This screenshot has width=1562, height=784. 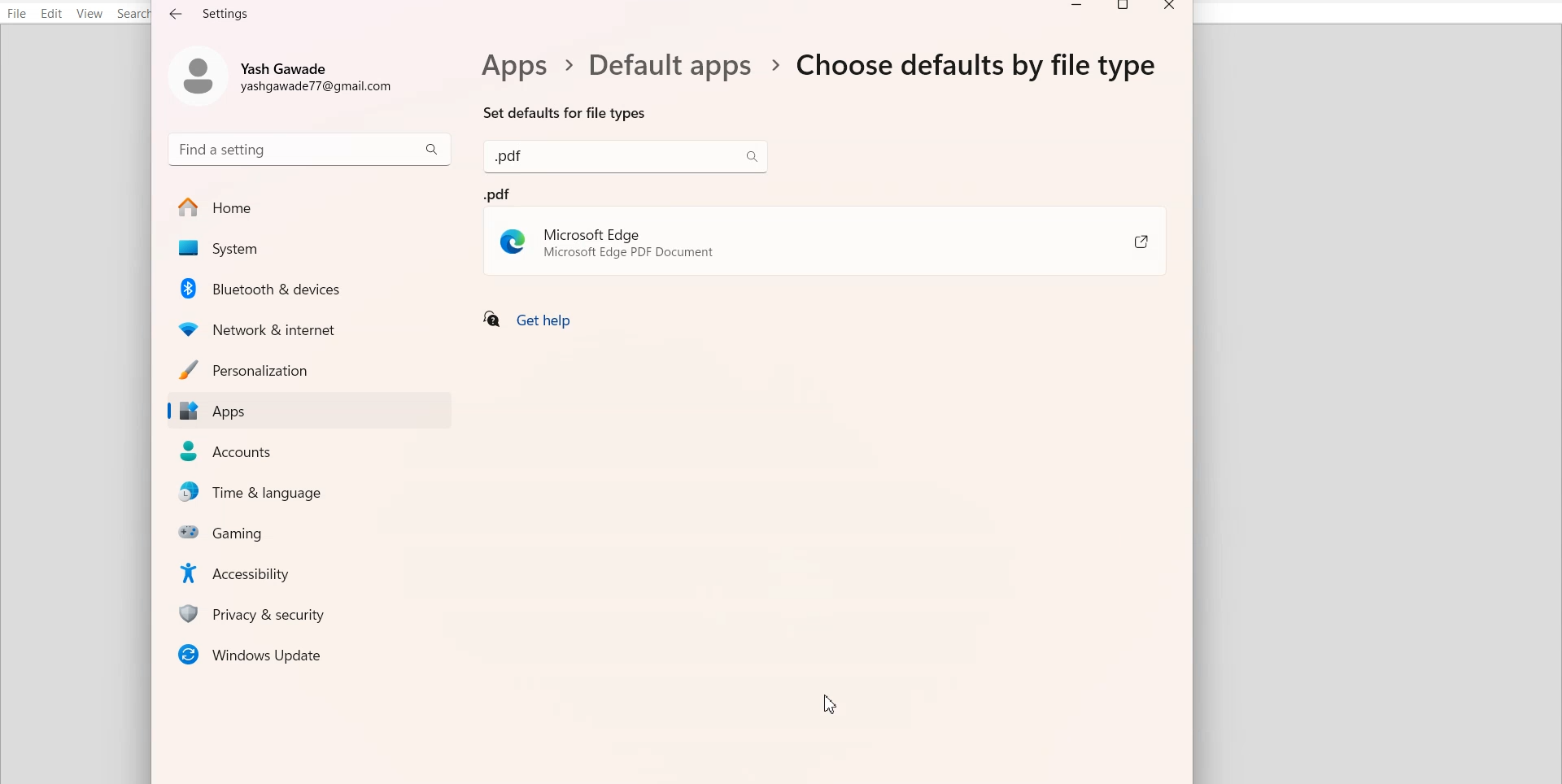 What do you see at coordinates (314, 613) in the screenshot?
I see `Privacy & security` at bounding box center [314, 613].